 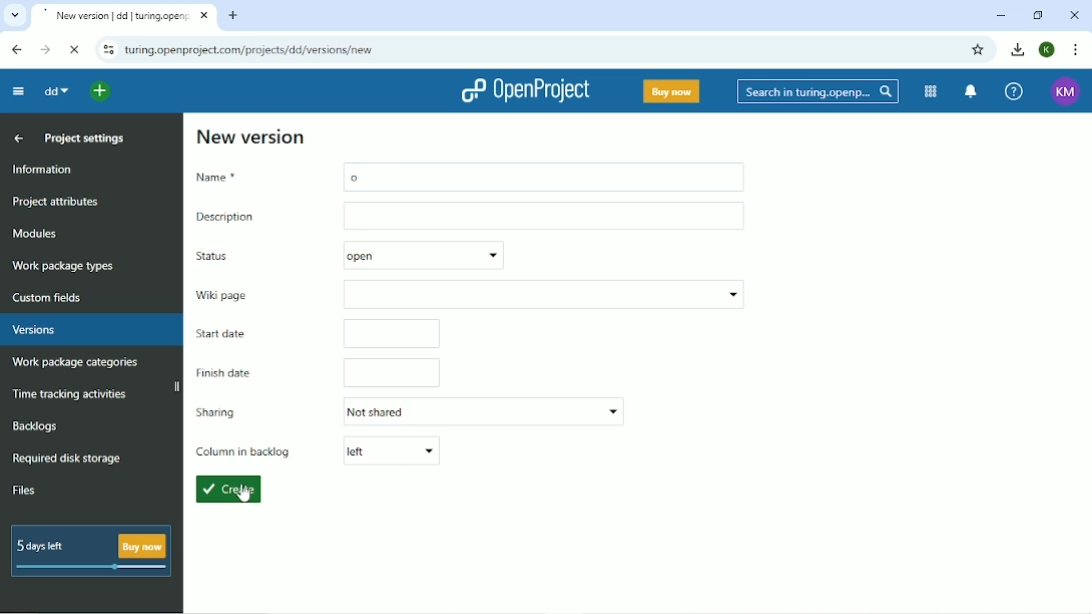 I want to click on Up, so click(x=16, y=138).